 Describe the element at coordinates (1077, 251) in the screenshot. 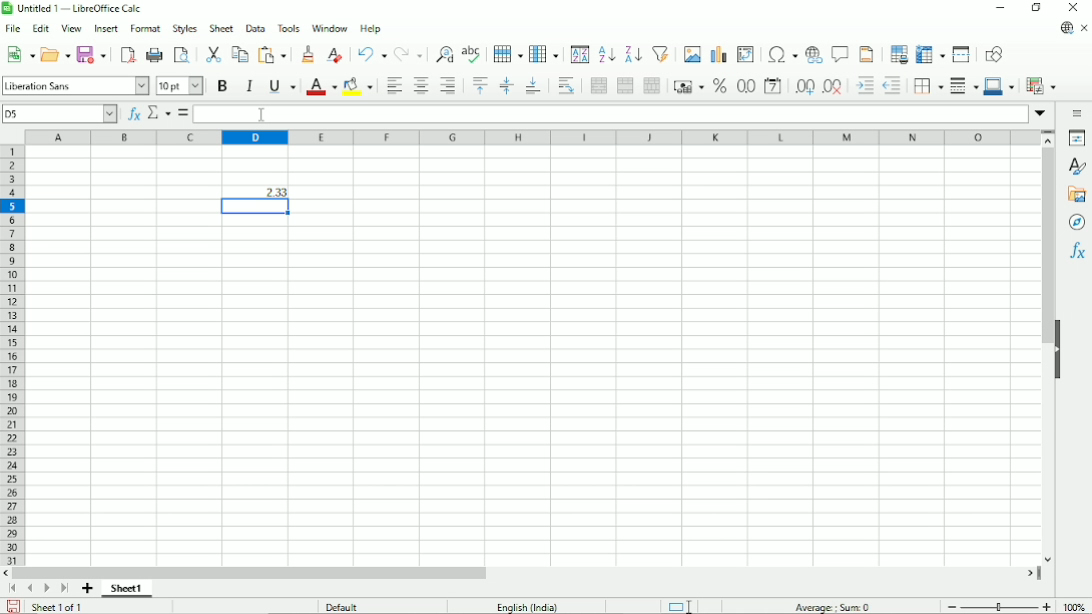

I see `Functions` at that location.